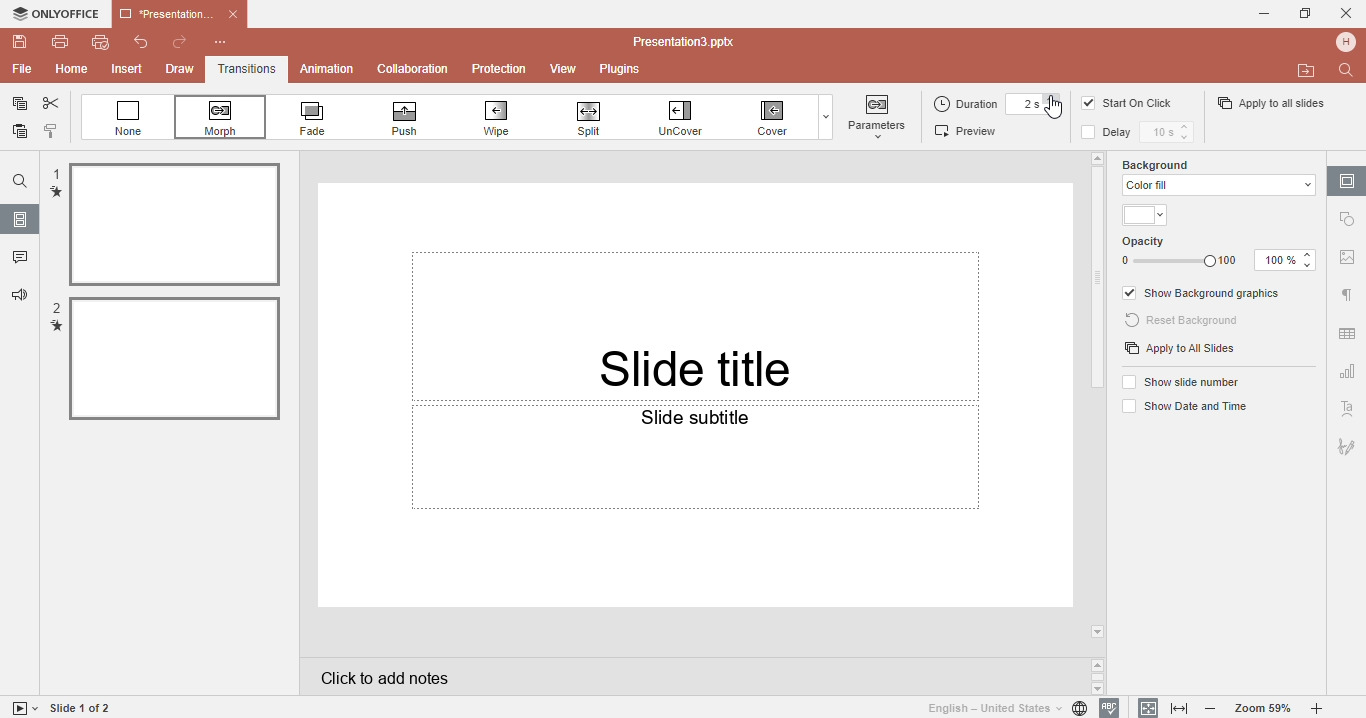  I want to click on Slide 1 to 1, so click(82, 708).